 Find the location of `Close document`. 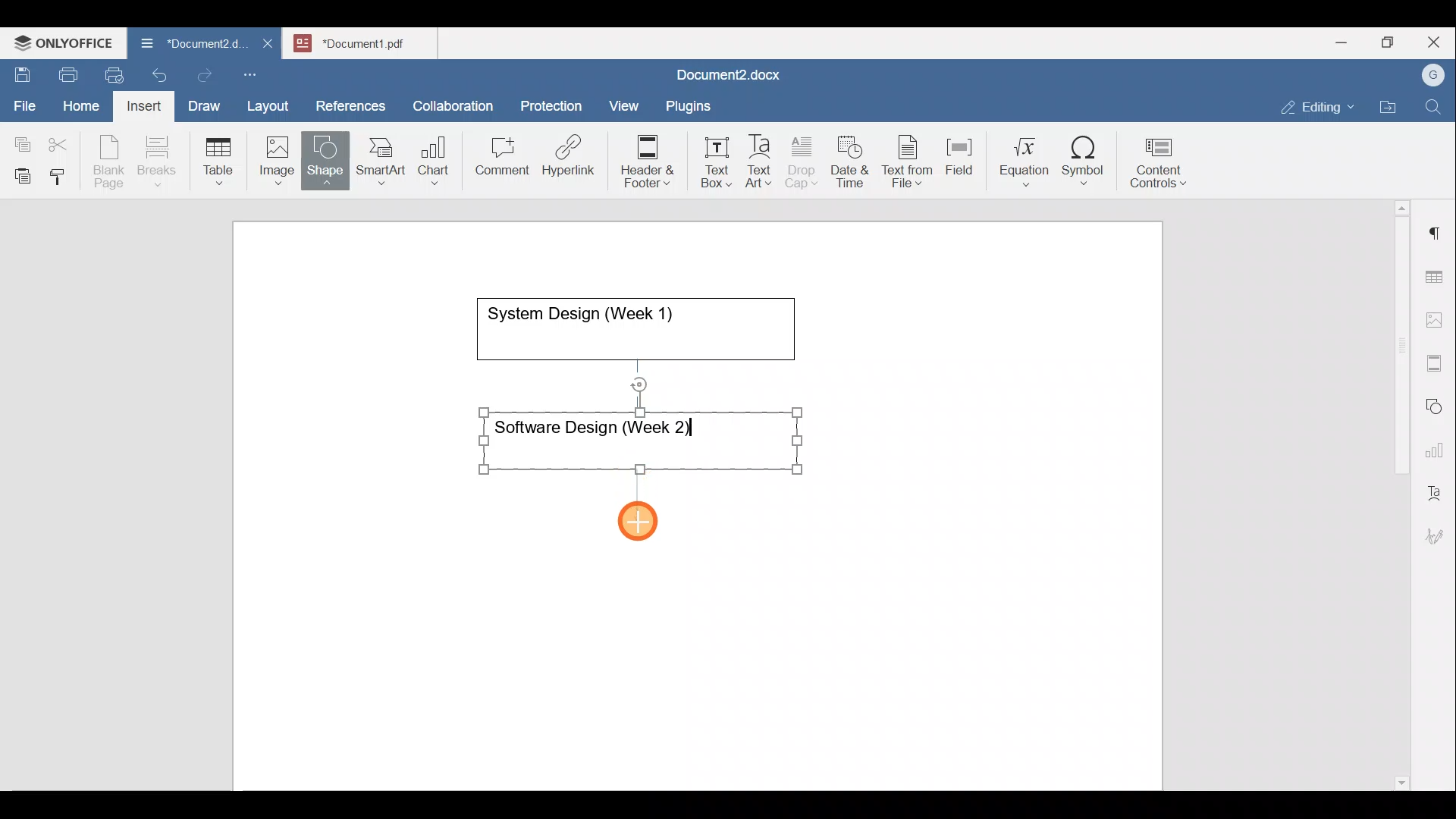

Close document is located at coordinates (268, 45).